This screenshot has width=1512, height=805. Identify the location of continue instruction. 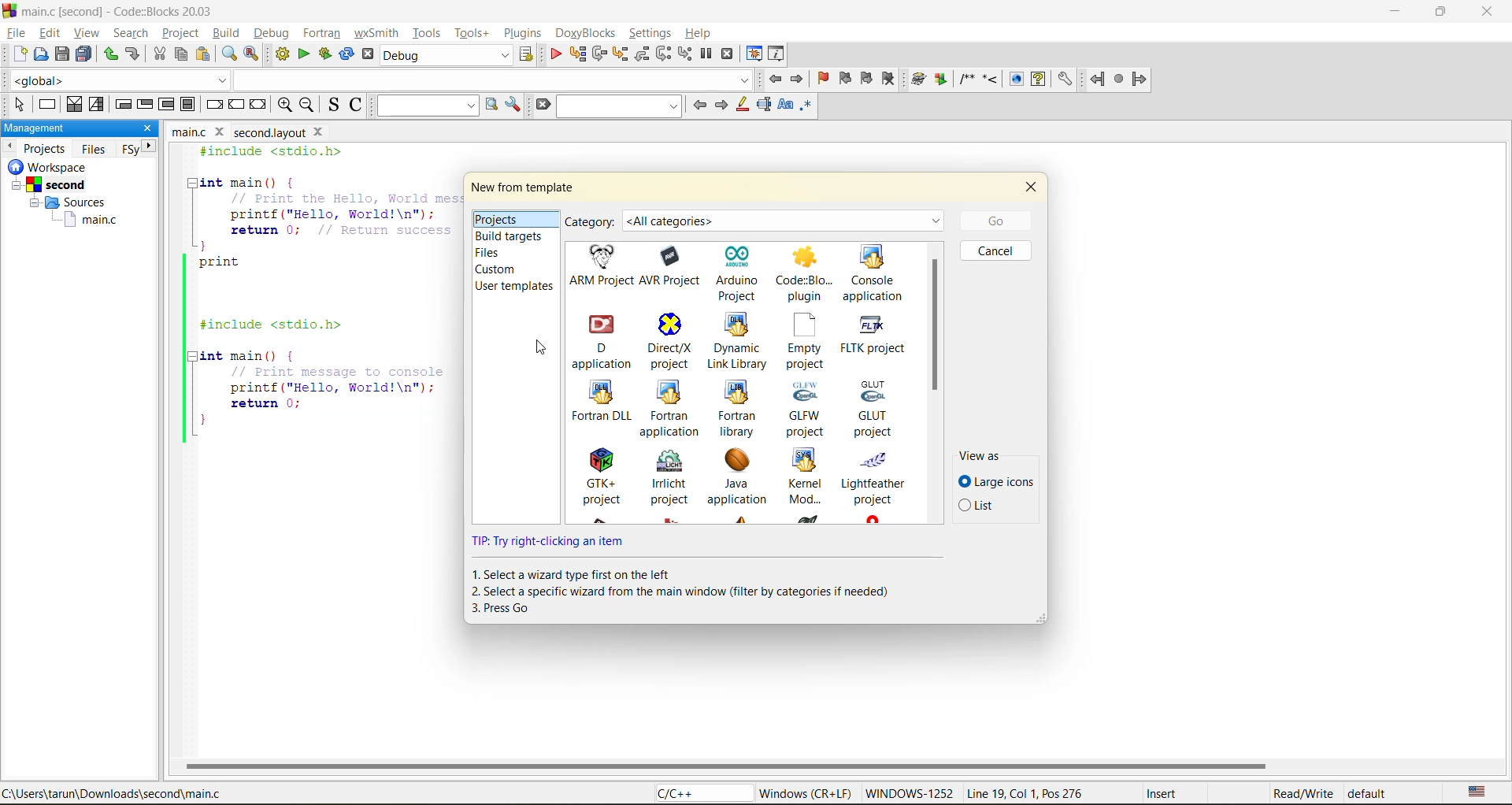
(236, 104).